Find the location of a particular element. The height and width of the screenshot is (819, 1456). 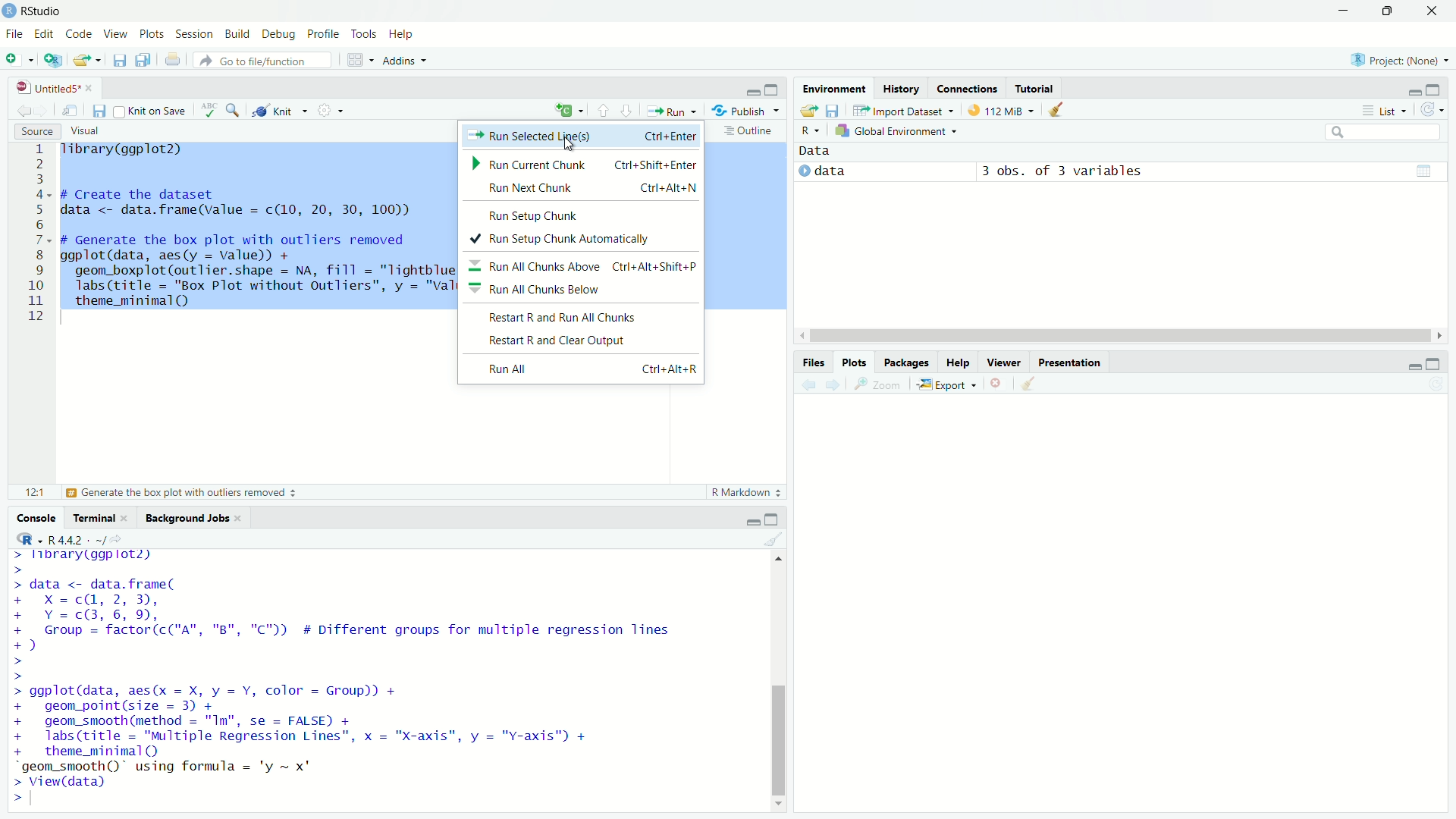

copy is located at coordinates (144, 61).